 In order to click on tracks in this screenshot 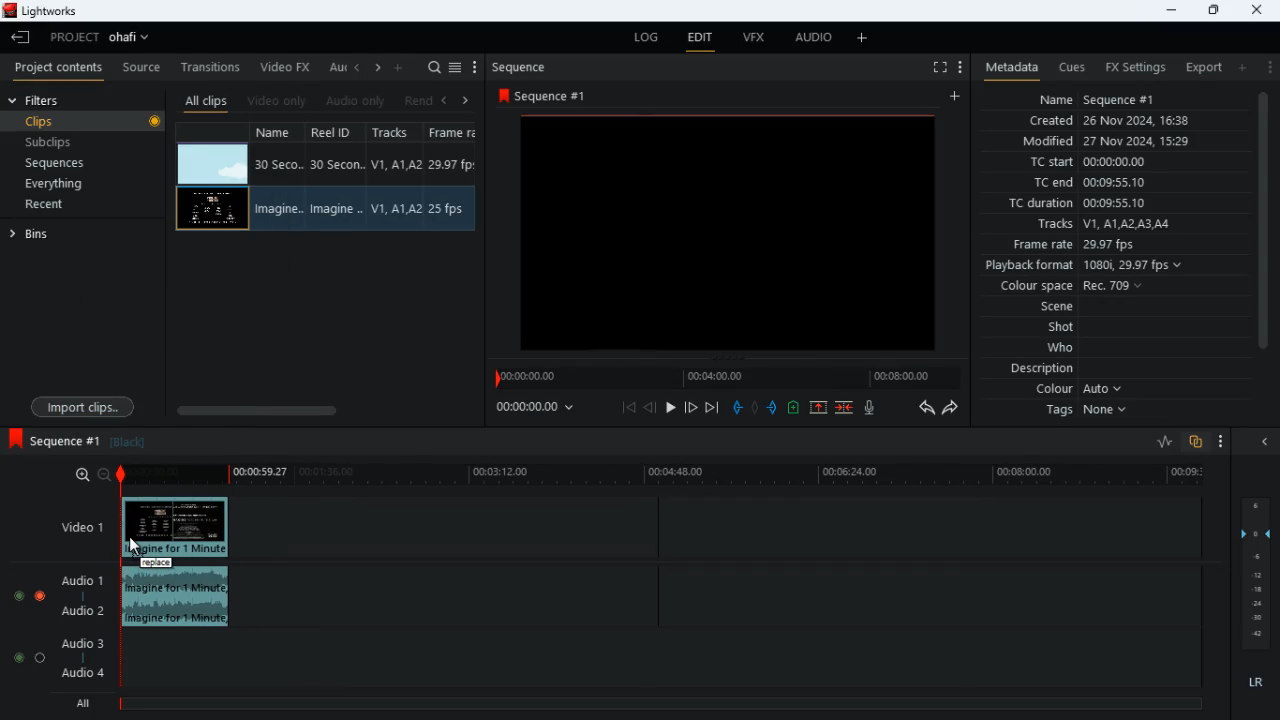, I will do `click(1102, 225)`.